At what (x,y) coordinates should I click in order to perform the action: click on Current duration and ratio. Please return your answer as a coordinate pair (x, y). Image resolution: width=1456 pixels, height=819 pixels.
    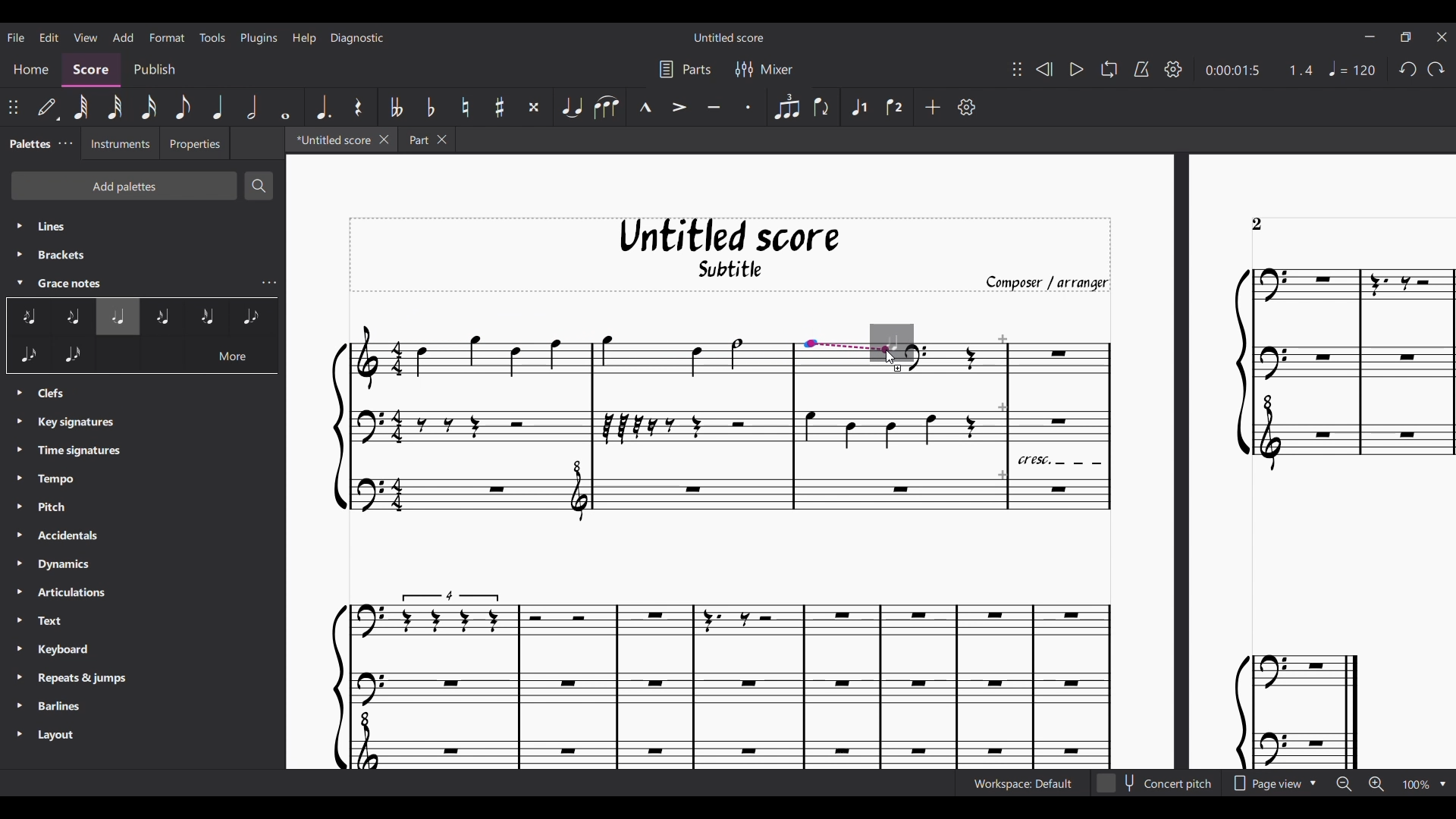
    Looking at the image, I should click on (1259, 71).